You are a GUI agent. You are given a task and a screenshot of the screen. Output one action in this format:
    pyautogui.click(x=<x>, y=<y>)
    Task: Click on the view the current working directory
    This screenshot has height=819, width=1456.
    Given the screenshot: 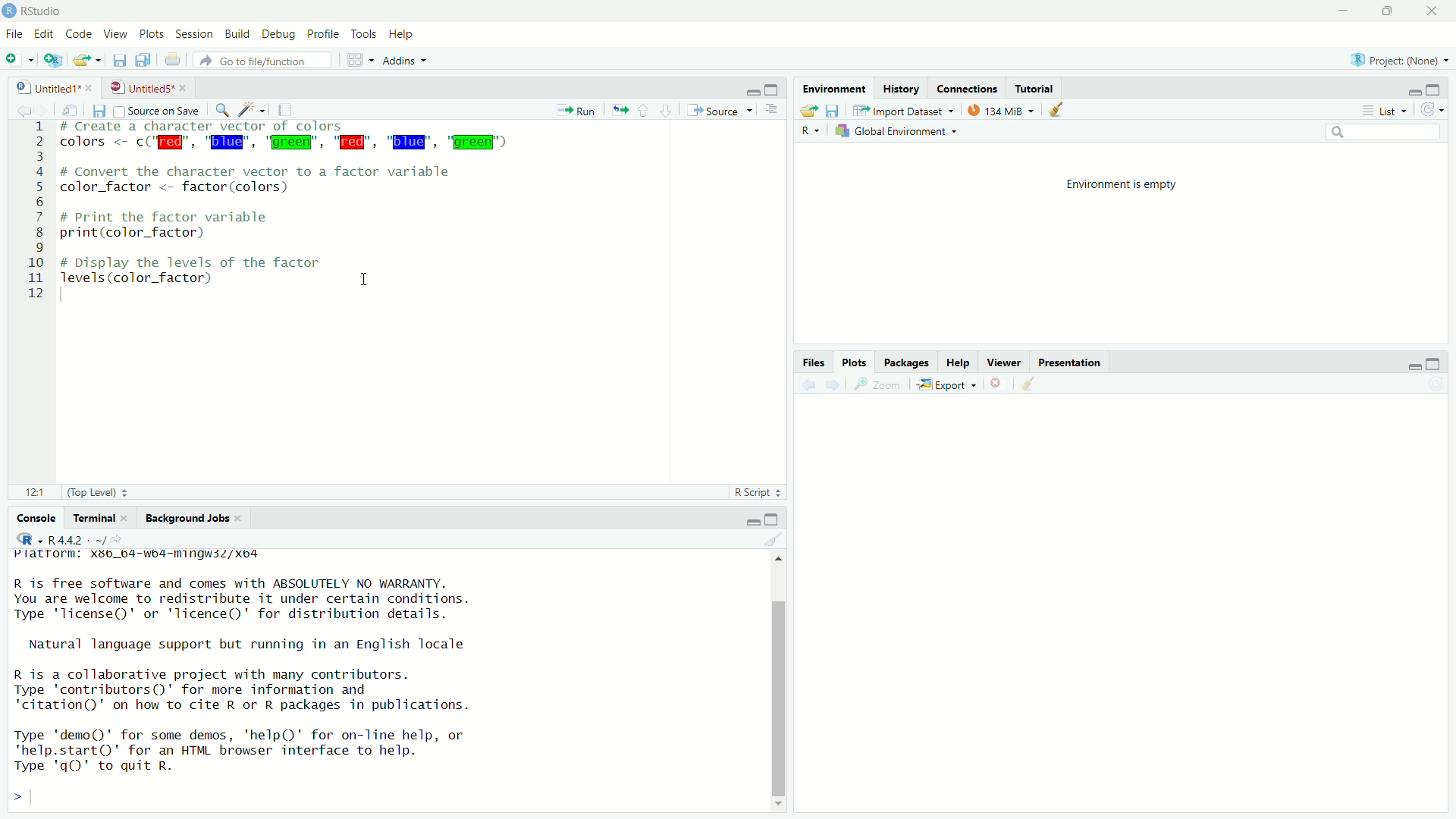 What is the action you would take?
    pyautogui.click(x=123, y=541)
    